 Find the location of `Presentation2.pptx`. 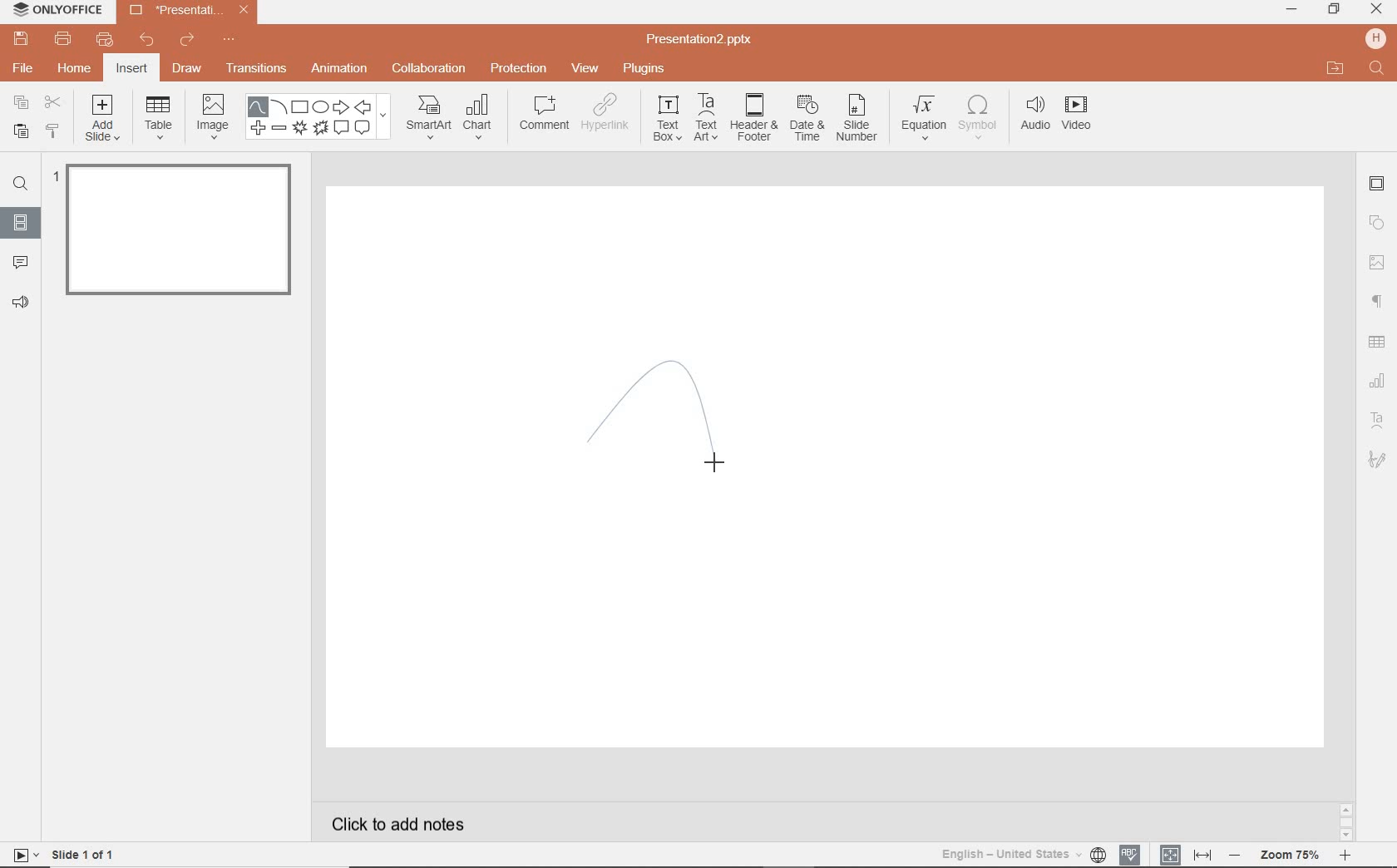

Presentation2.pptx is located at coordinates (189, 13).